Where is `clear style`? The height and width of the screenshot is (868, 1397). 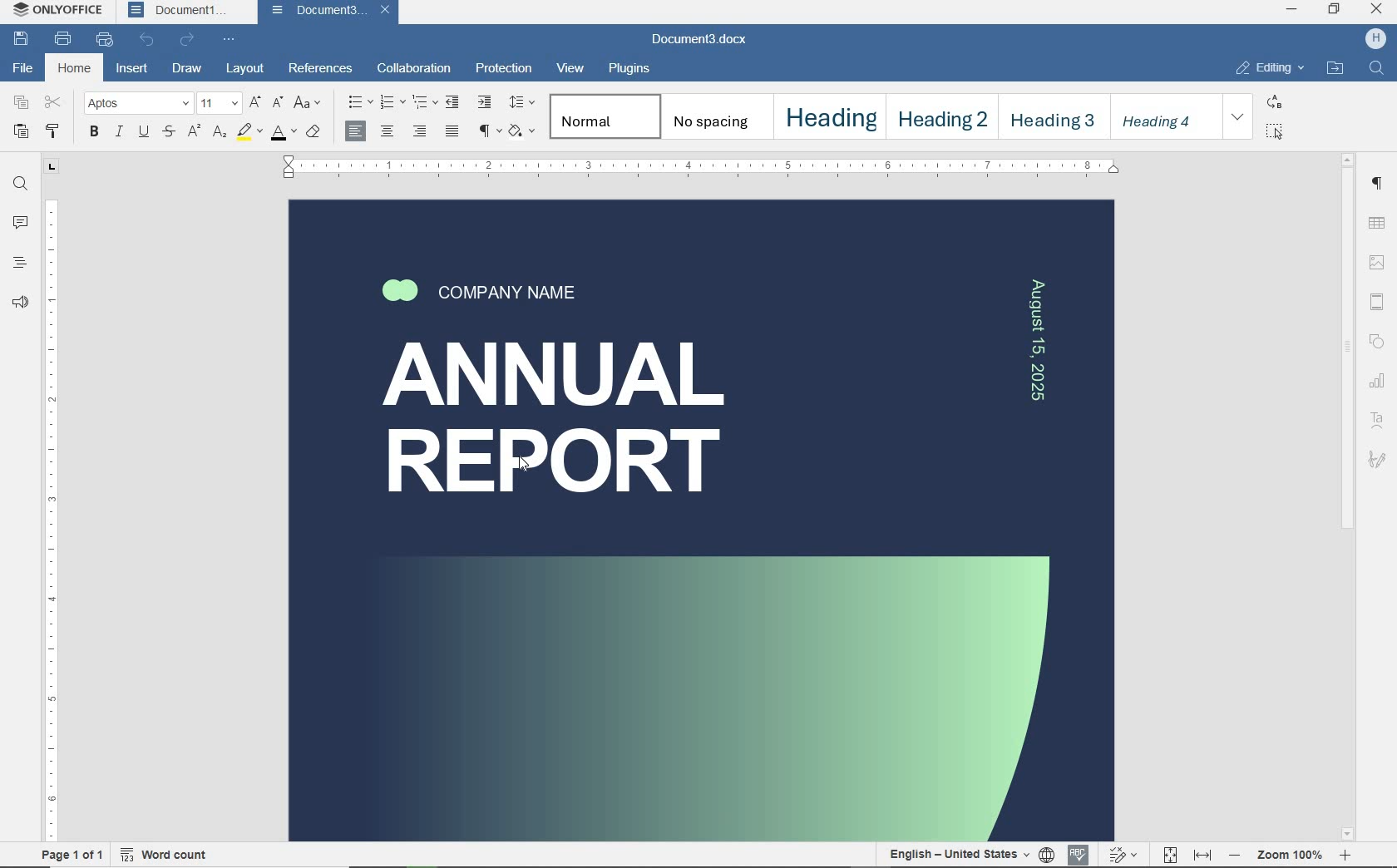 clear style is located at coordinates (313, 132).